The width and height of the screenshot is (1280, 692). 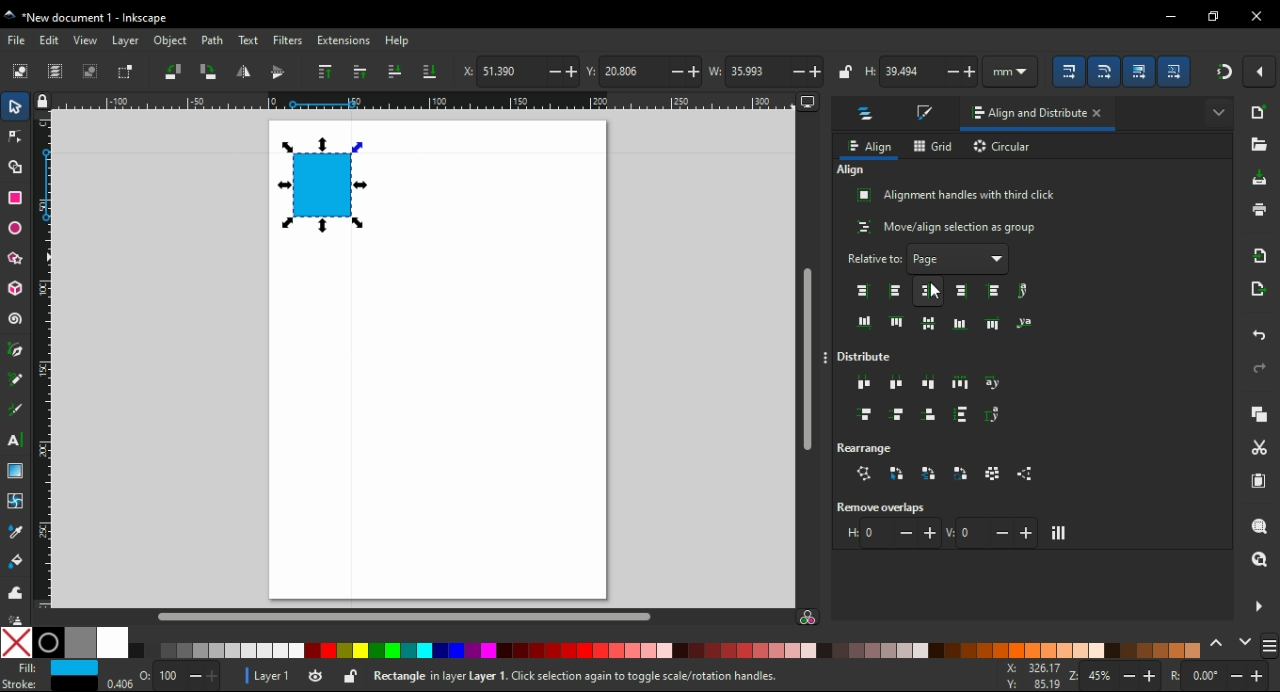 I want to click on lower, so click(x=394, y=71).